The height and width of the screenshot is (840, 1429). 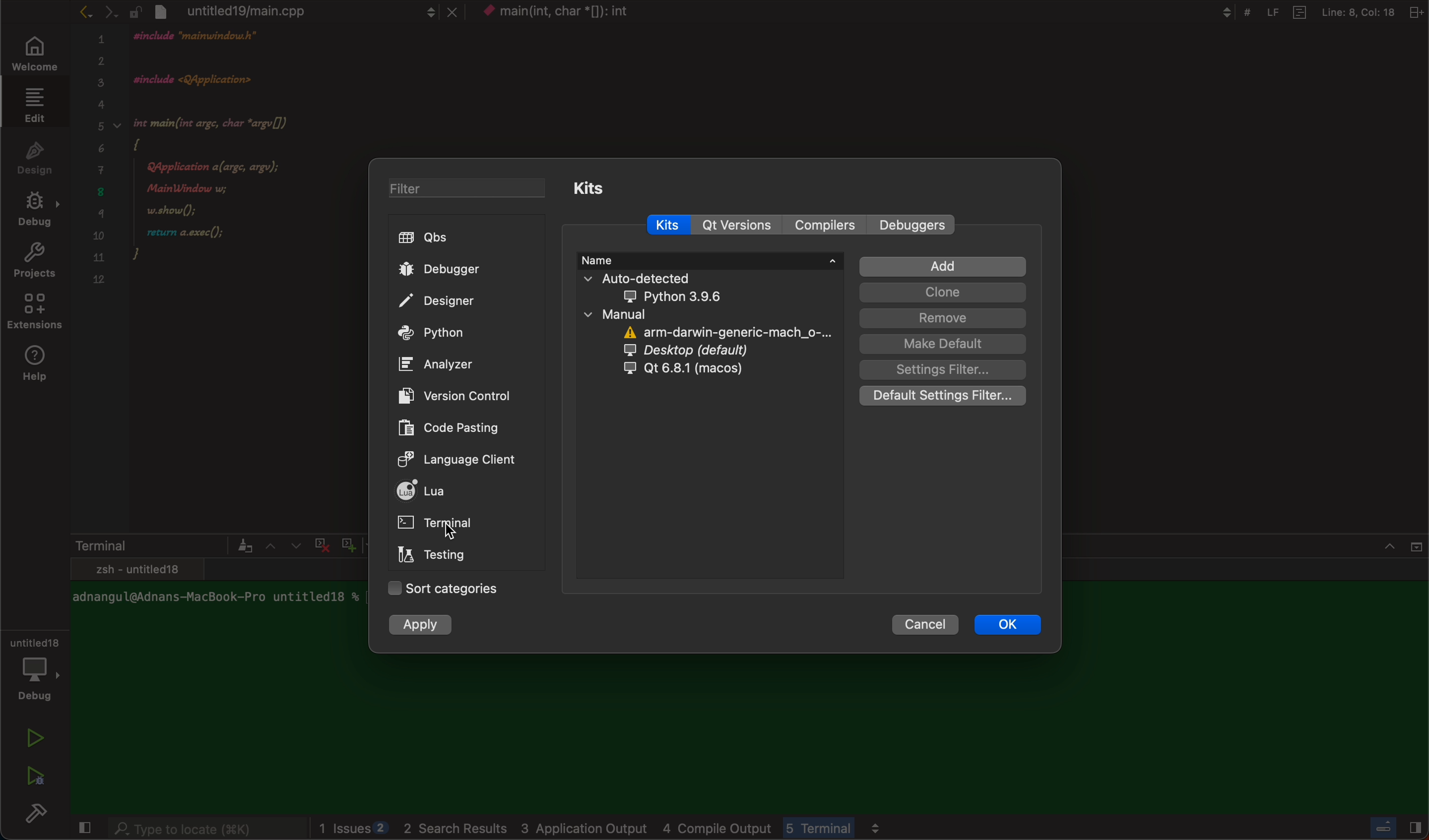 I want to click on python, so click(x=456, y=334).